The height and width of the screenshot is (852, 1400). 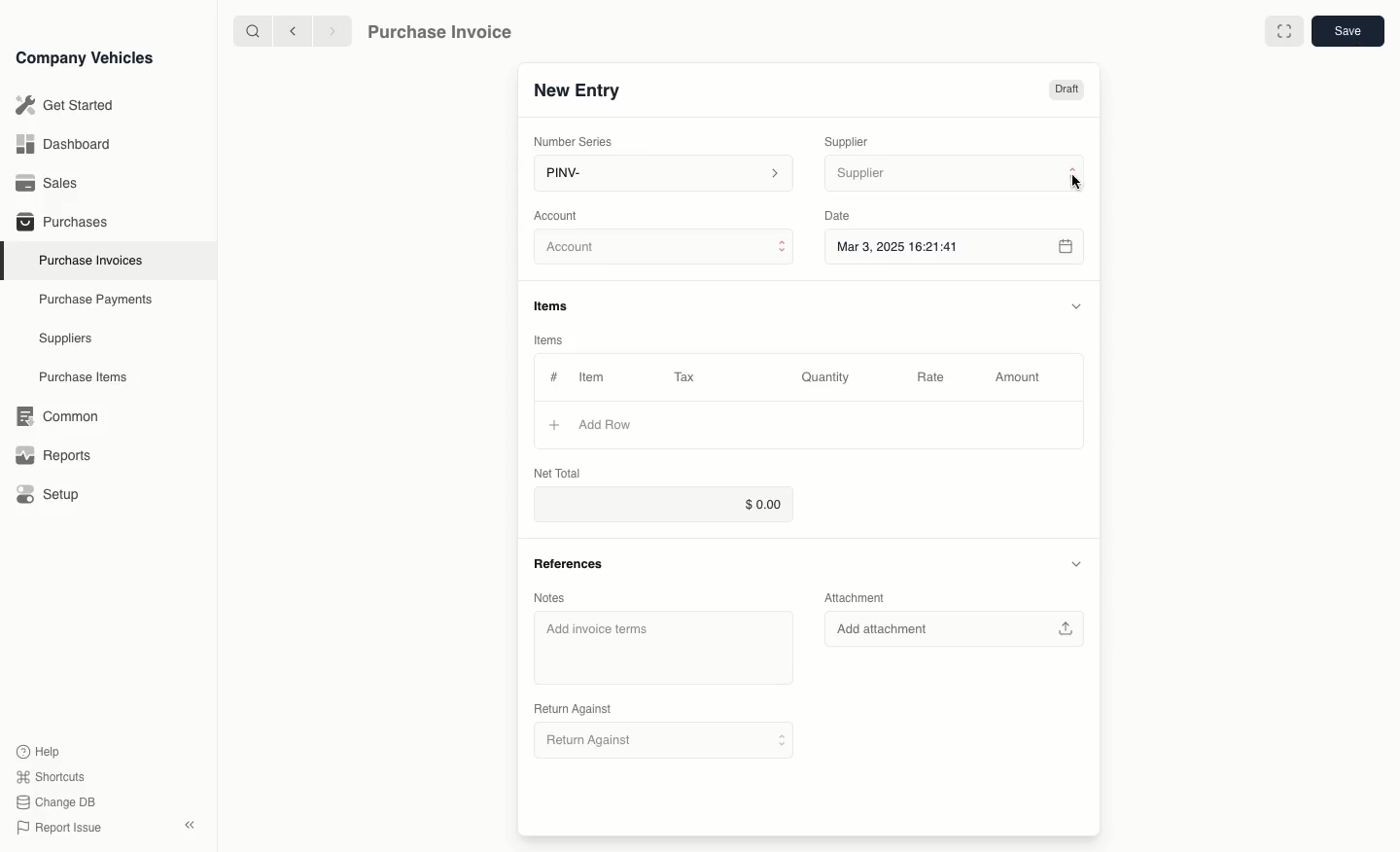 What do you see at coordinates (62, 829) in the screenshot?
I see `Report issue` at bounding box center [62, 829].